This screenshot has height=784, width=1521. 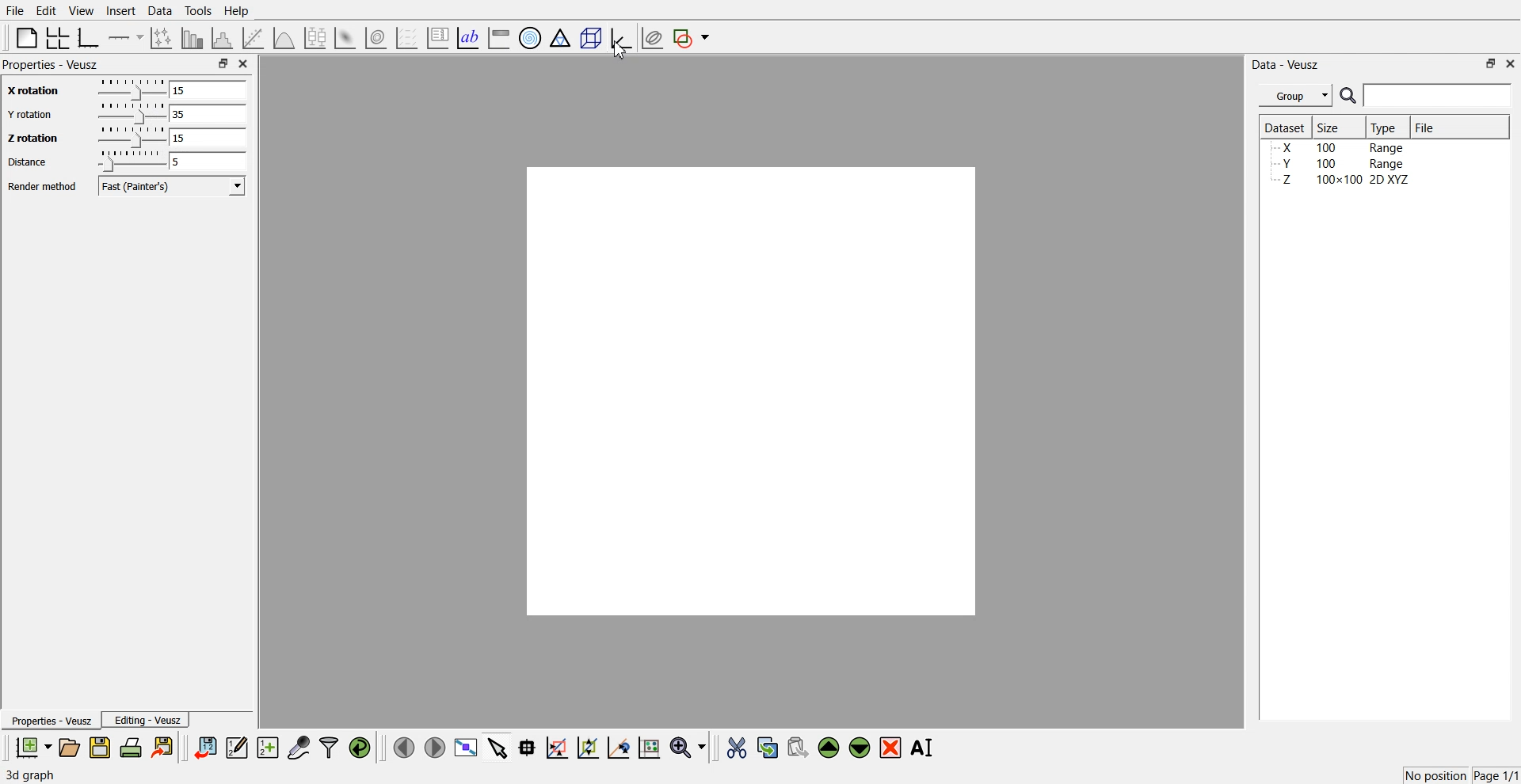 I want to click on Y rotation, so click(x=31, y=115).